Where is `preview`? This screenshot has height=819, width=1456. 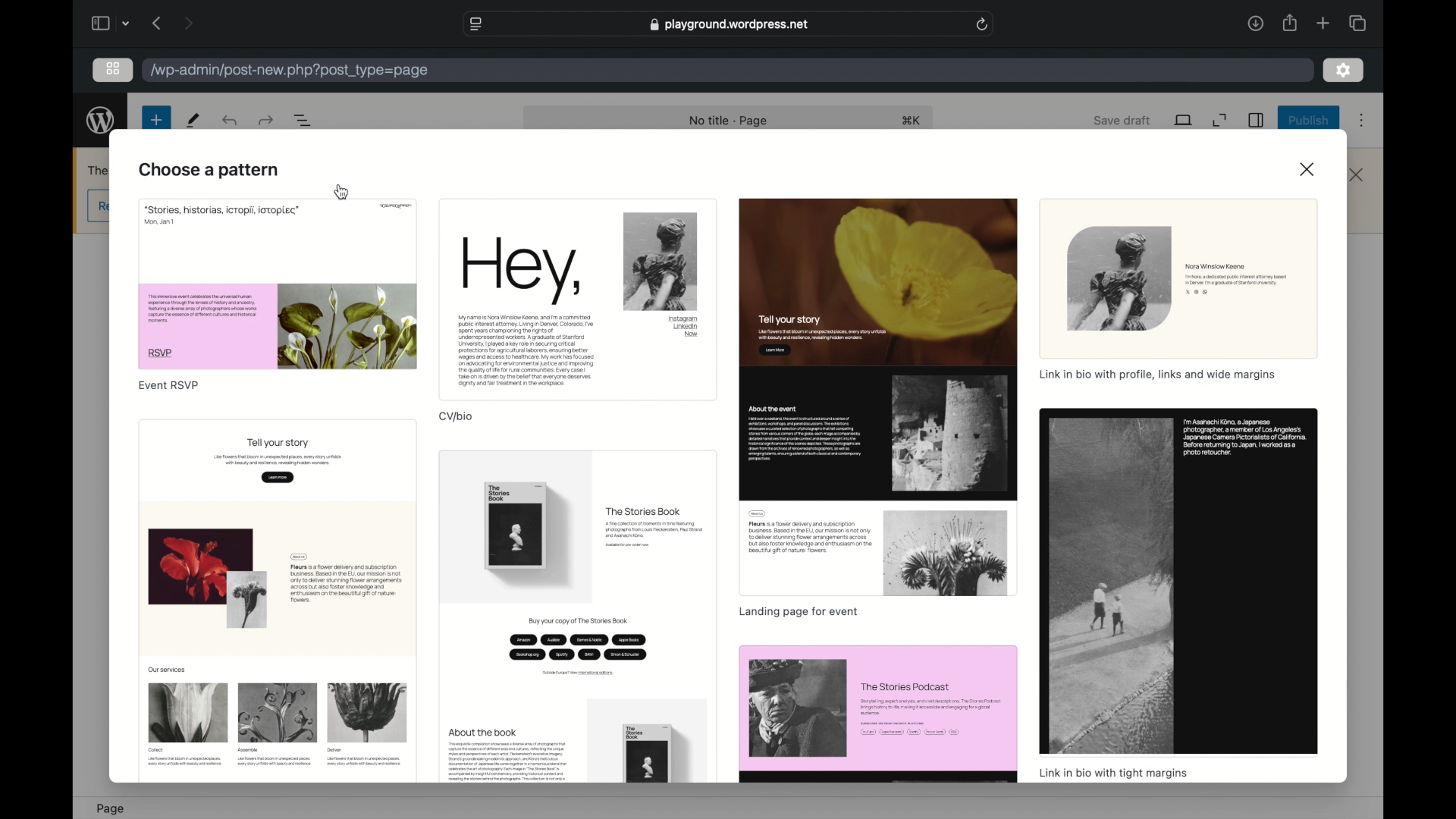
preview is located at coordinates (879, 398).